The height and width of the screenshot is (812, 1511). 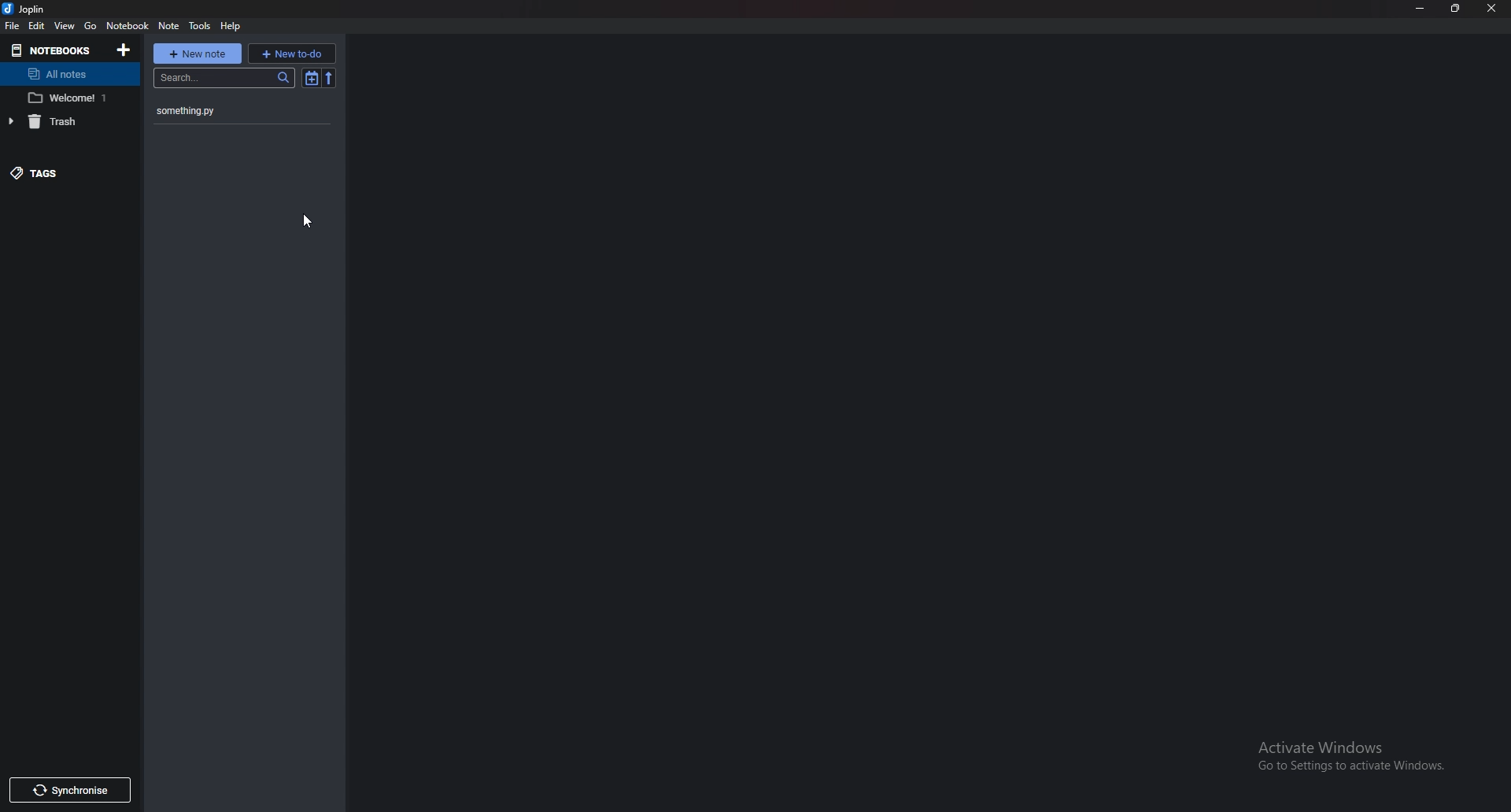 What do you see at coordinates (201, 26) in the screenshot?
I see `tools` at bounding box center [201, 26].